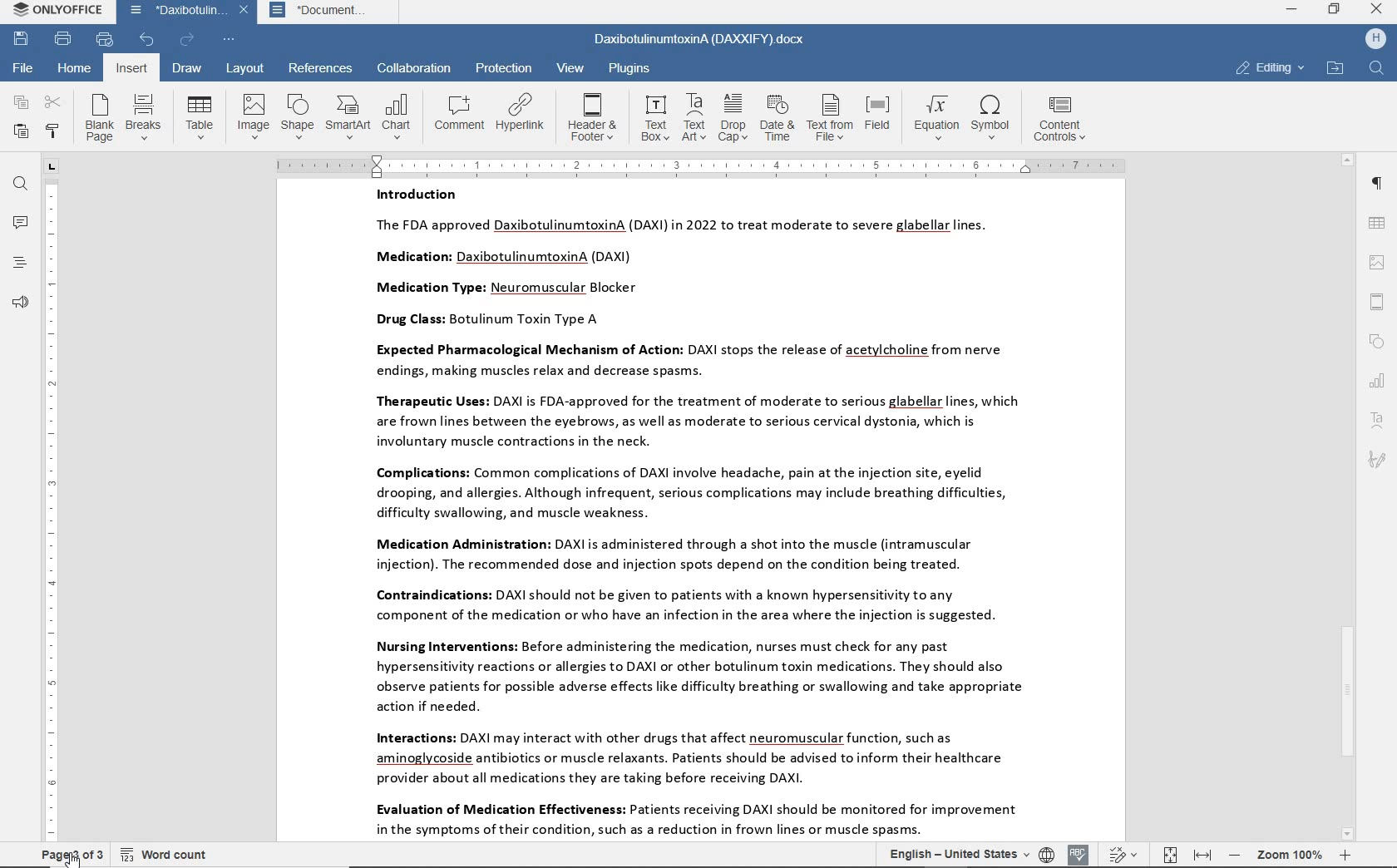  I want to click on zoom 100%, so click(1289, 854).